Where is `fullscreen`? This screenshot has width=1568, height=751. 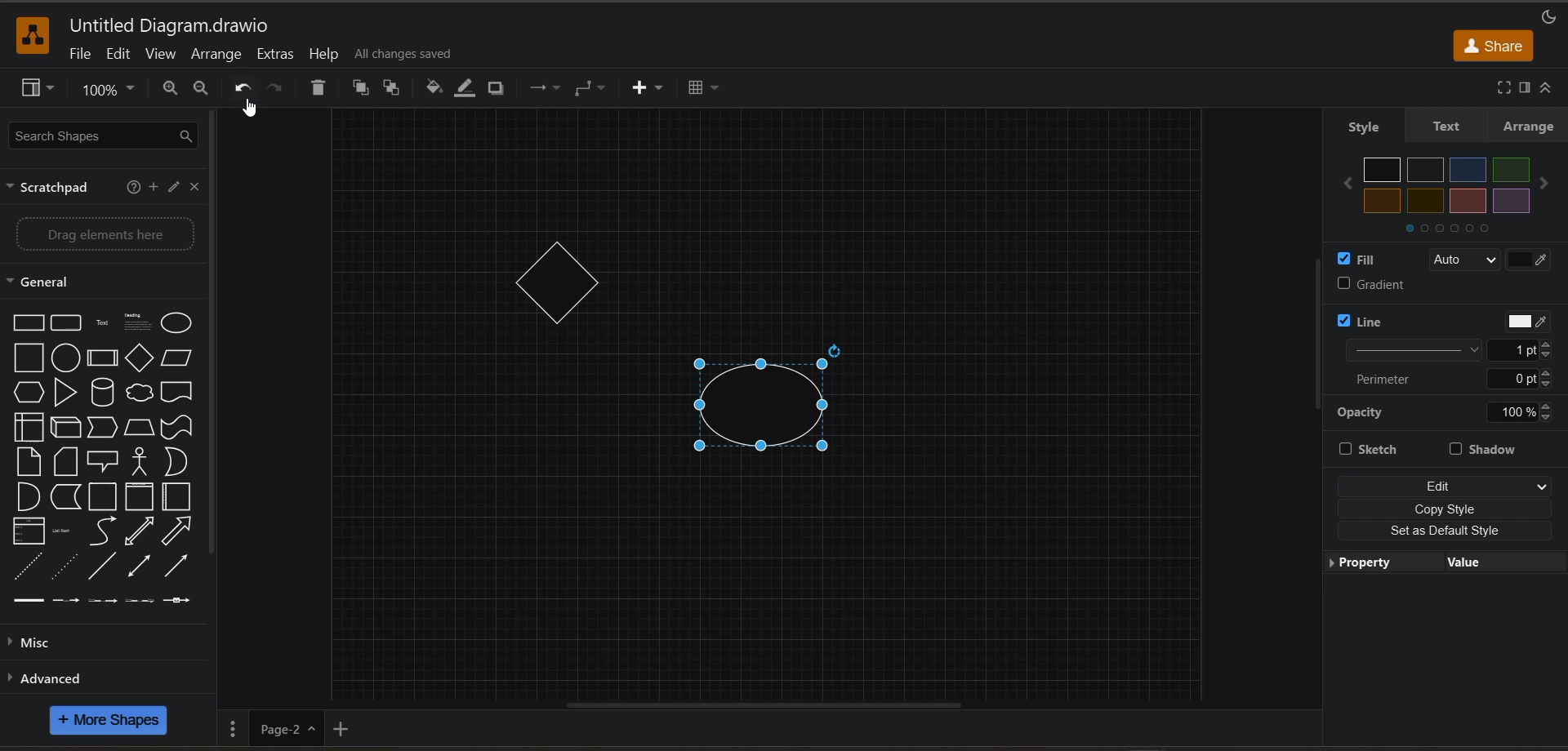 fullscreen is located at coordinates (1502, 86).